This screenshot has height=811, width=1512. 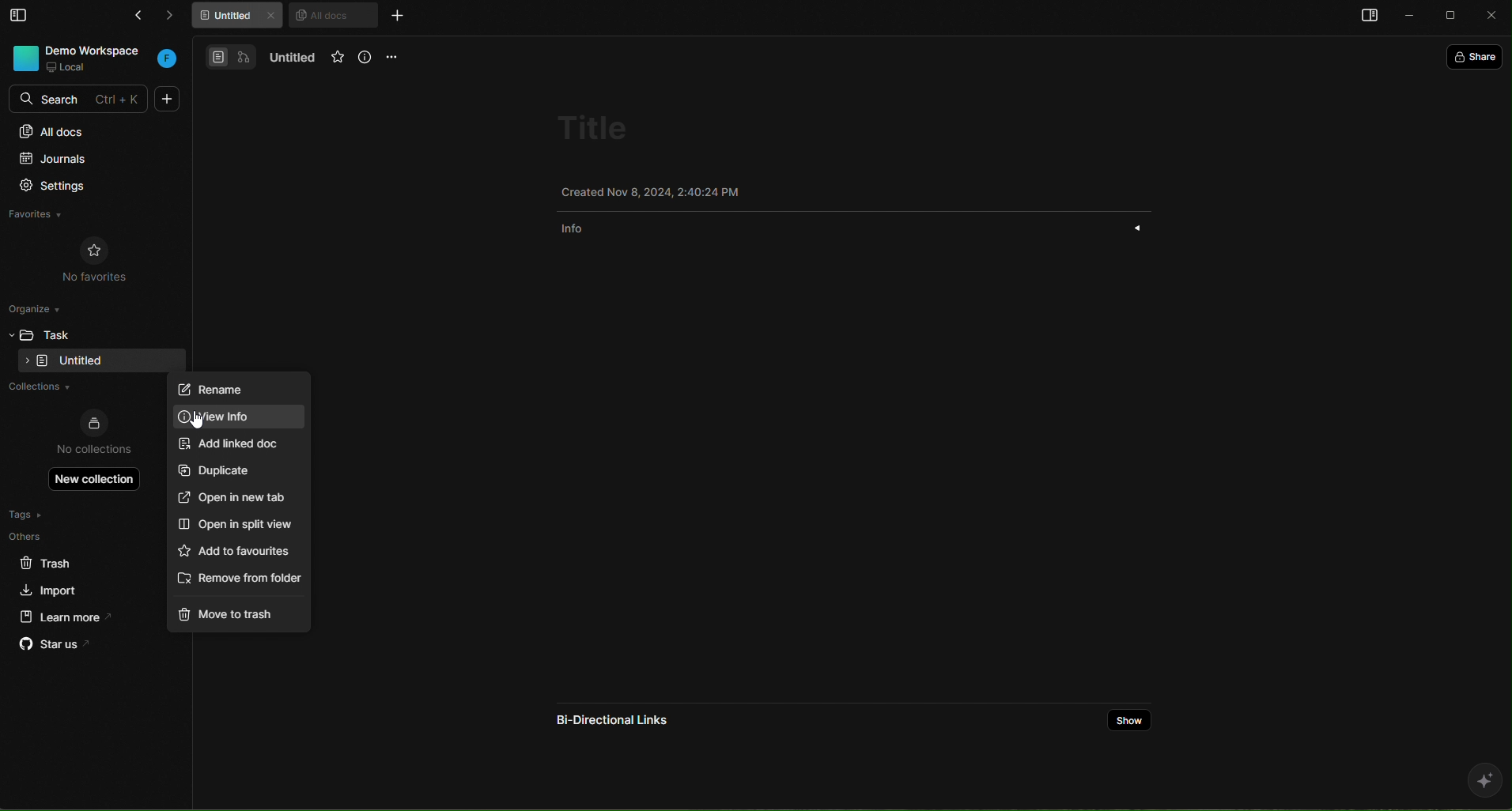 I want to click on all docs, so click(x=332, y=14).